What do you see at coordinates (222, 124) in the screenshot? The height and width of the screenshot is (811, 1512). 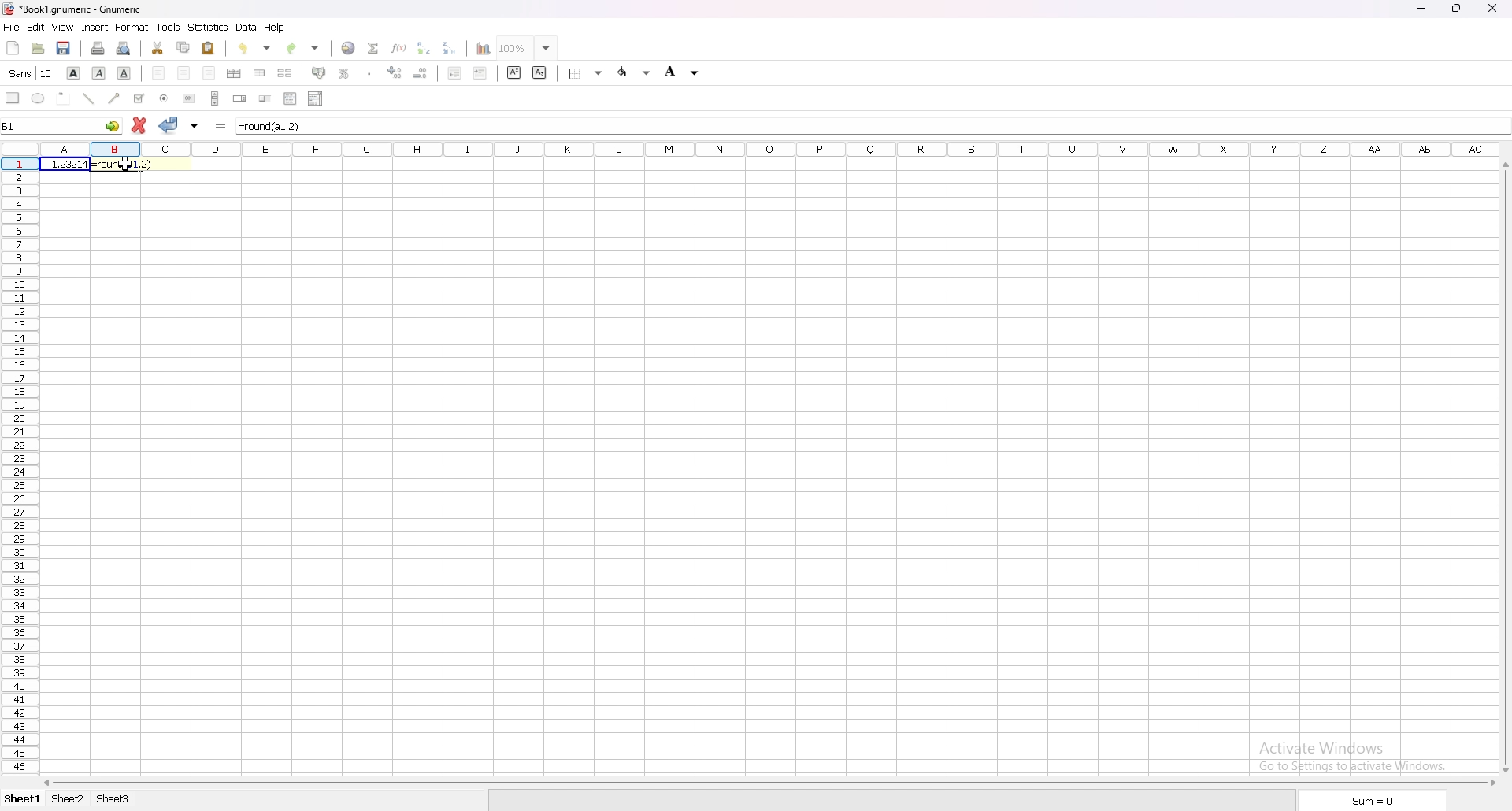 I see `formula` at bounding box center [222, 124].